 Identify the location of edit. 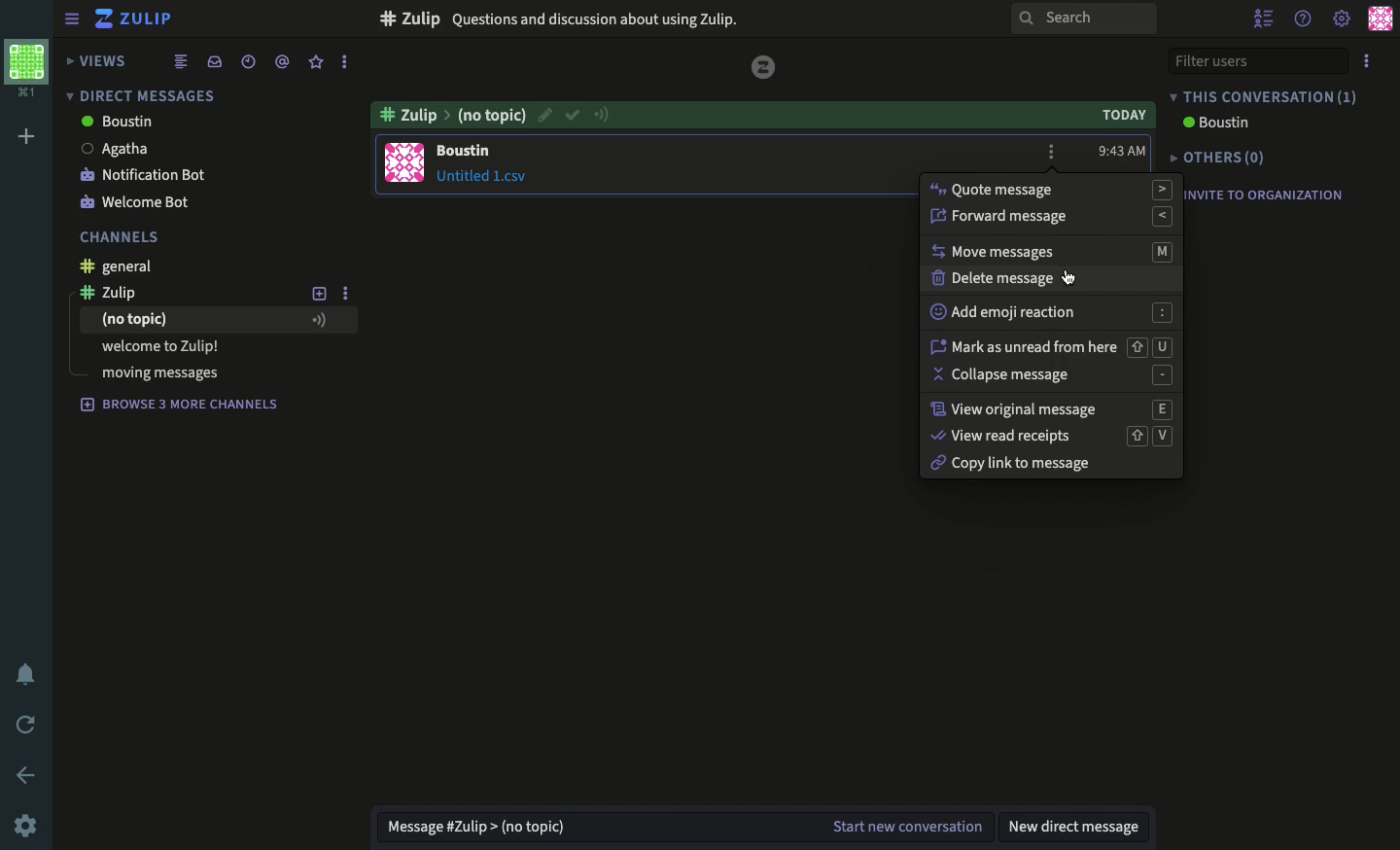
(544, 114).